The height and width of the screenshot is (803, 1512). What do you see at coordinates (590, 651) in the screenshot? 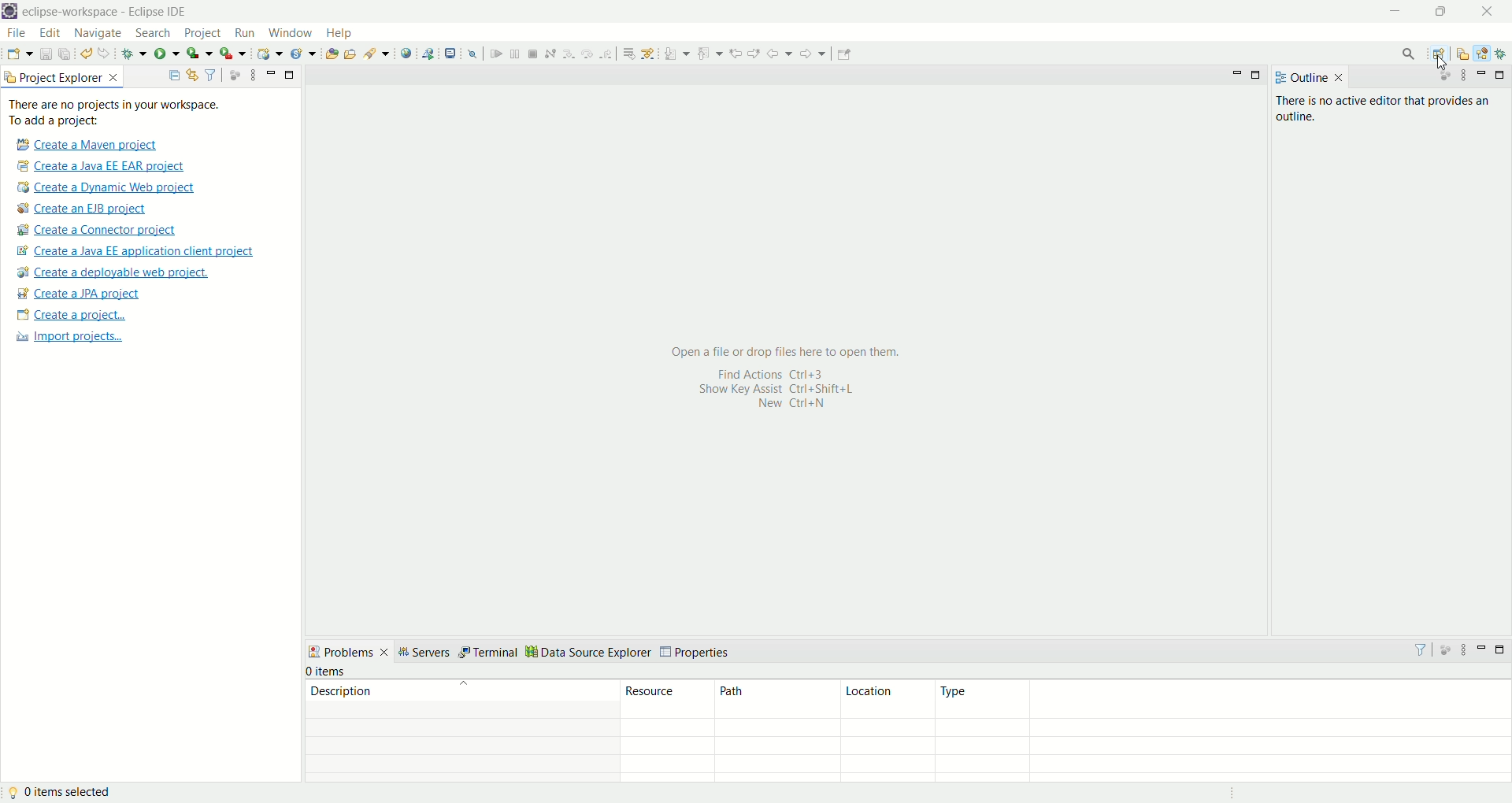
I see `data source explorer` at bounding box center [590, 651].